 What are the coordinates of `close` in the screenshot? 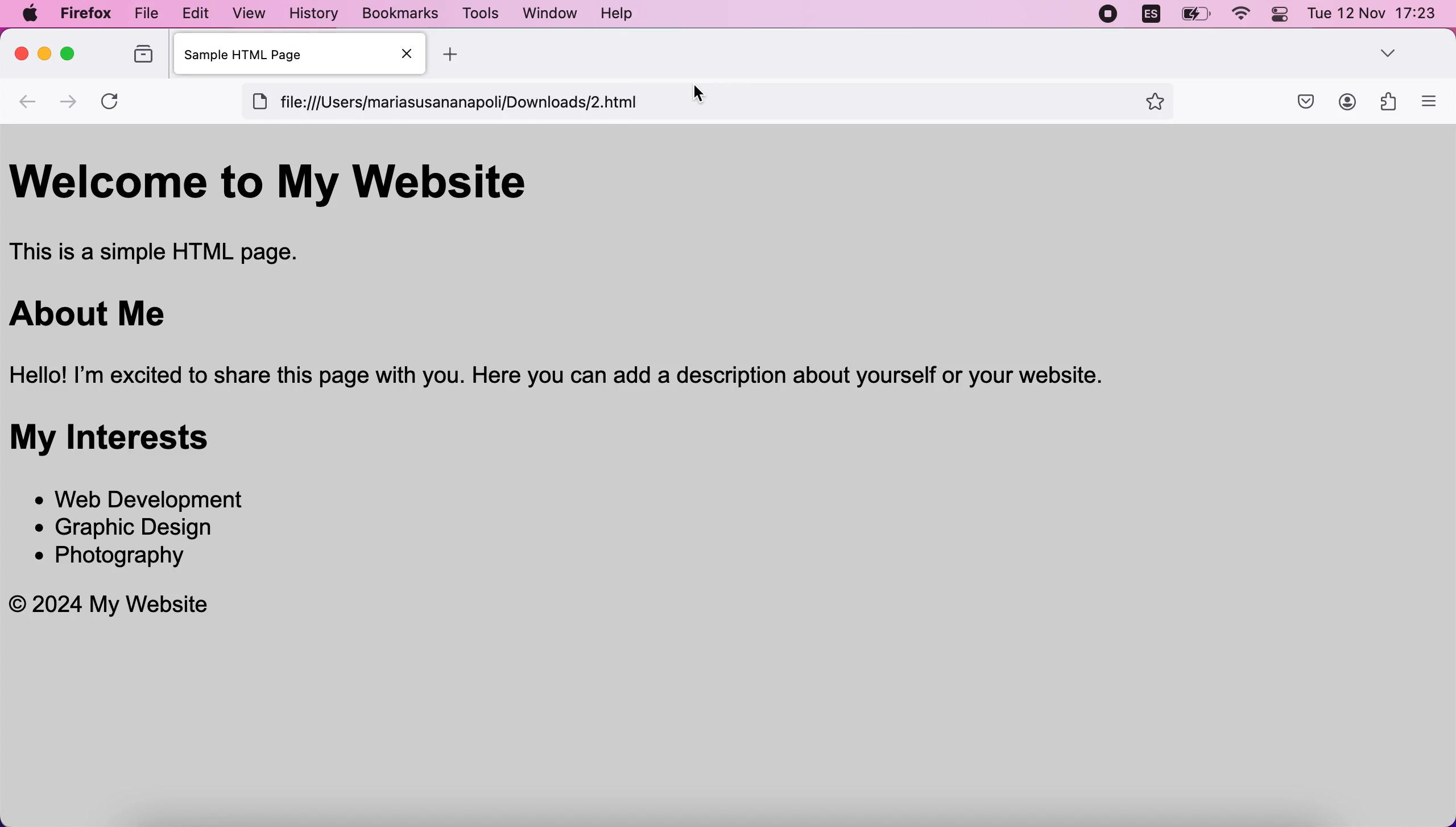 It's located at (20, 57).